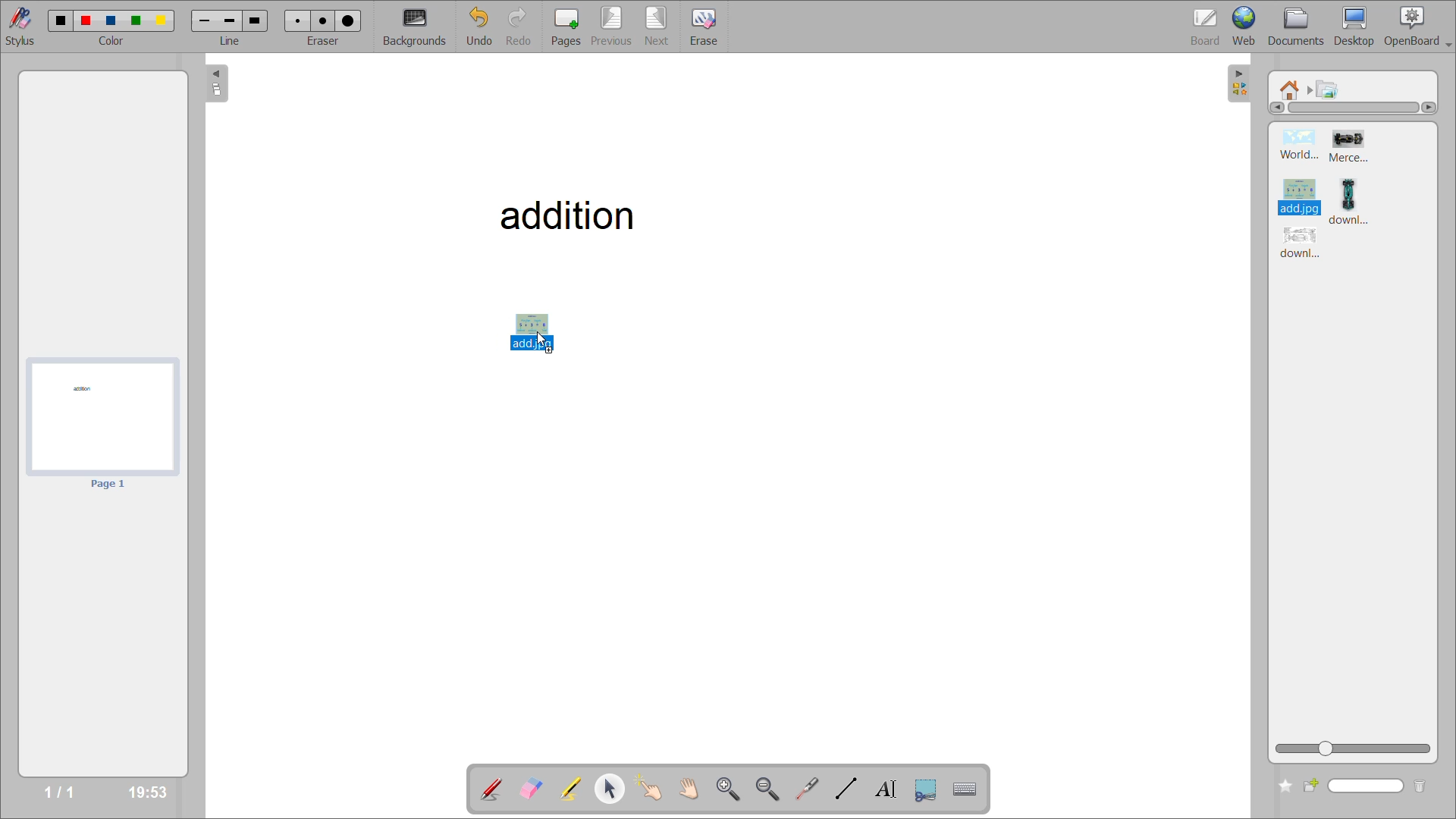 The width and height of the screenshot is (1456, 819). What do you see at coordinates (532, 789) in the screenshot?
I see `erase annotation` at bounding box center [532, 789].